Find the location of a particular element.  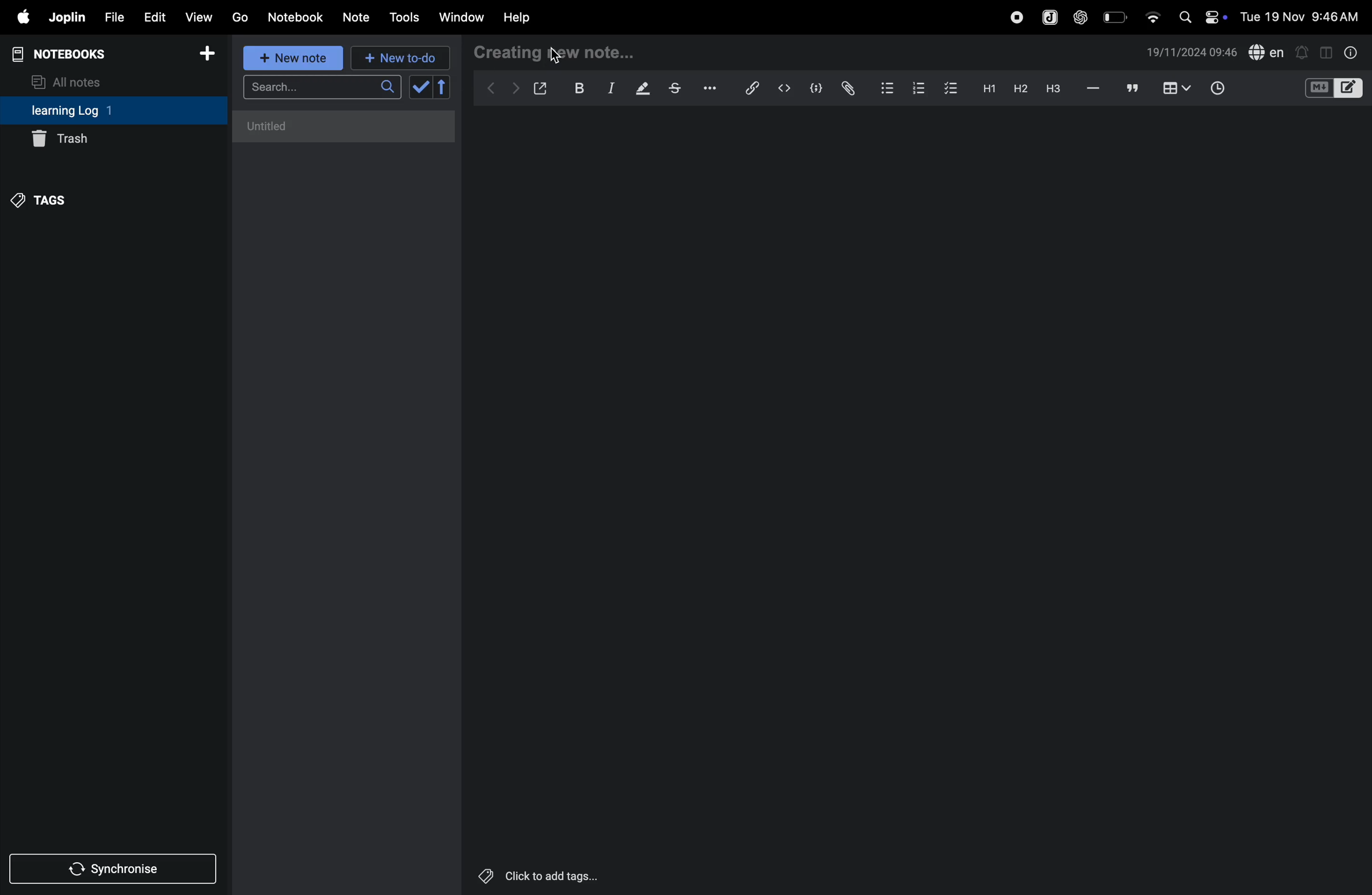

info is located at coordinates (1349, 52).